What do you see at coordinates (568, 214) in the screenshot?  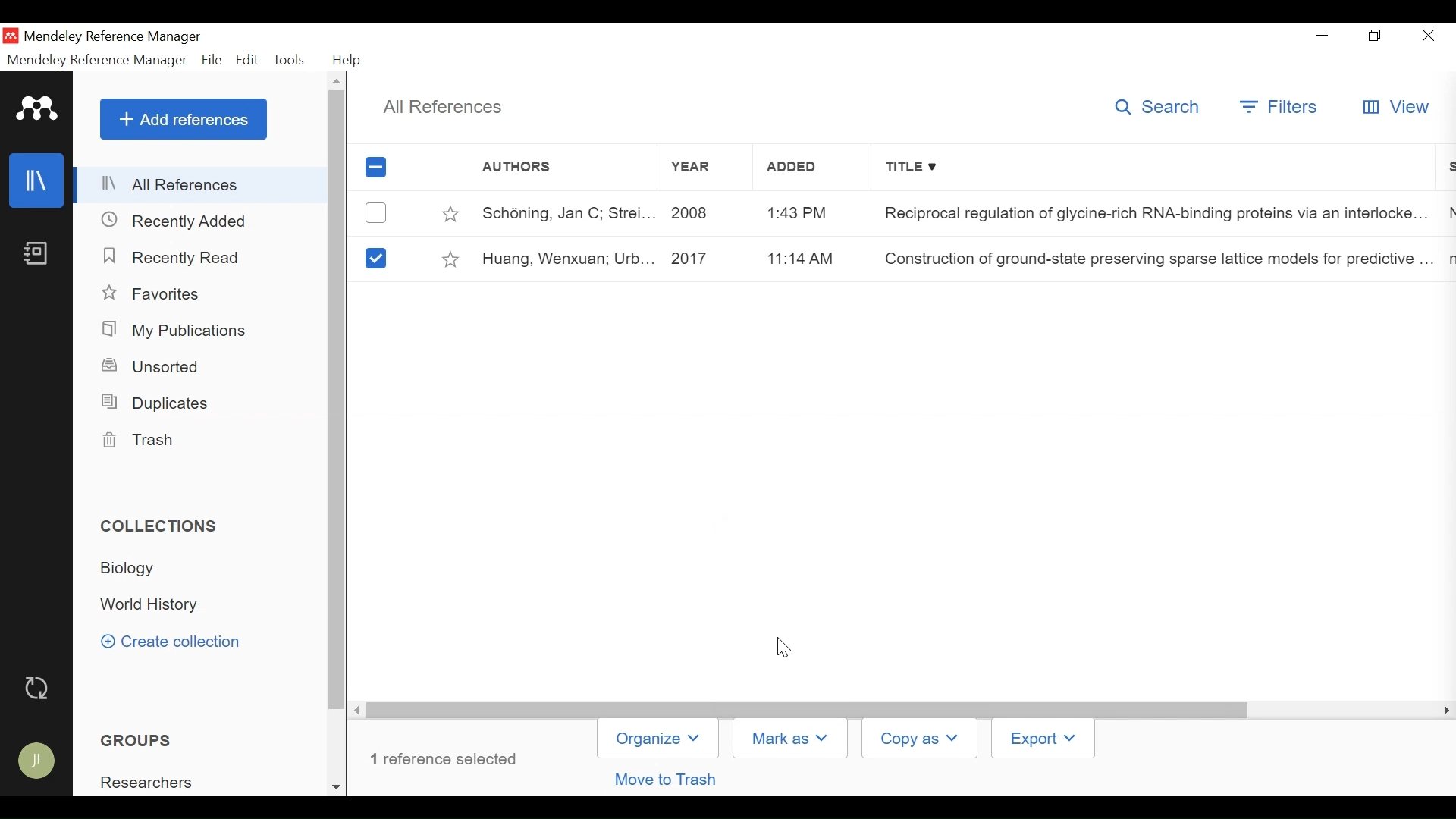 I see `Schoning, Jan C; Strei...` at bounding box center [568, 214].